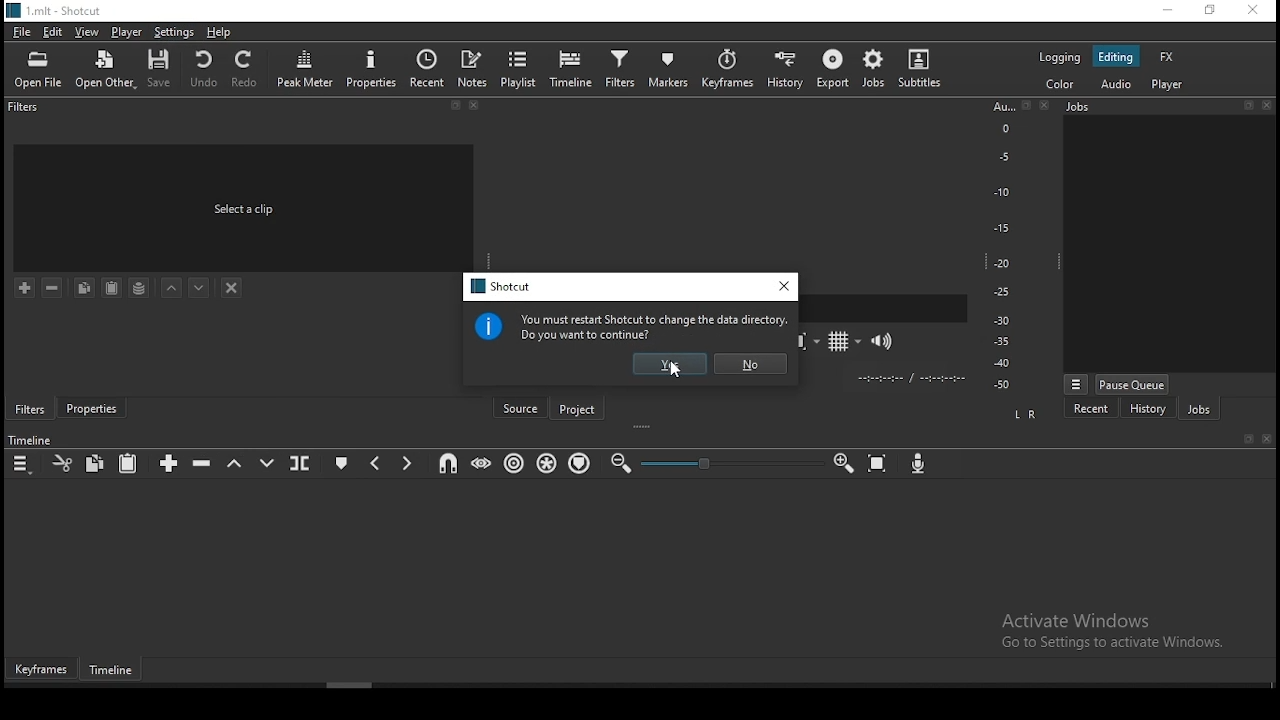  Describe the element at coordinates (233, 287) in the screenshot. I see `deselect the filter` at that location.